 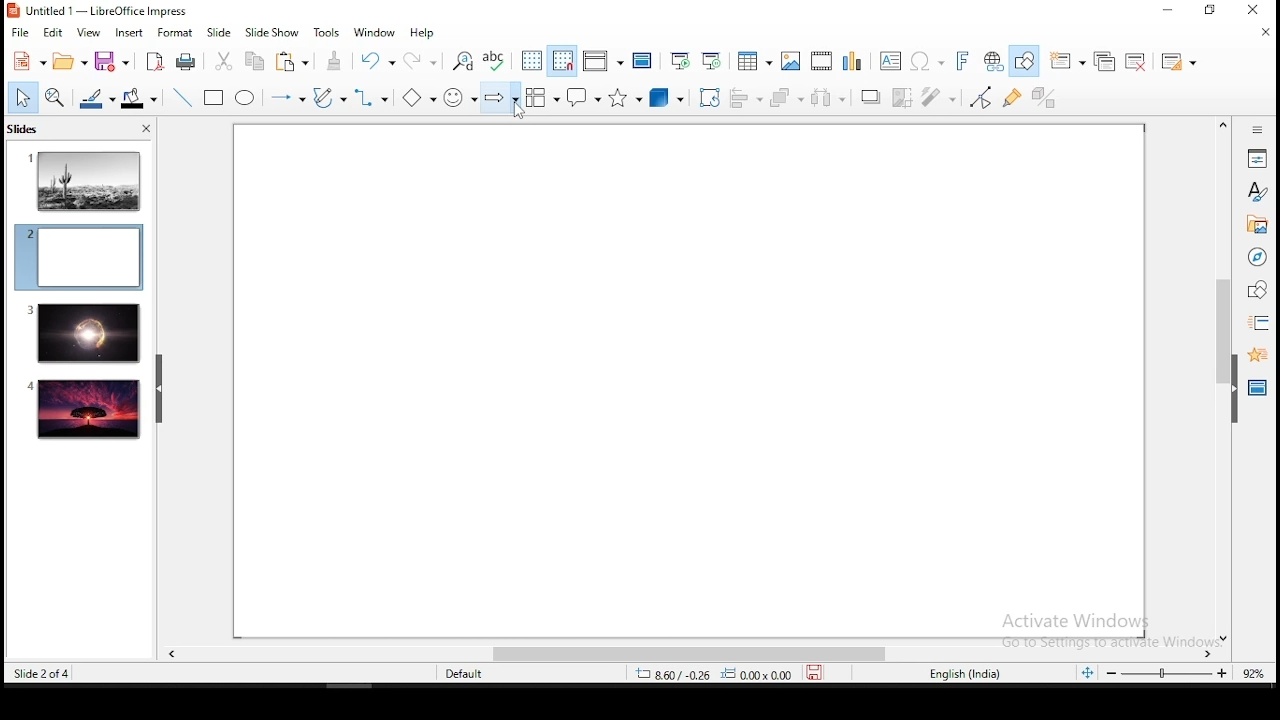 What do you see at coordinates (1206, 12) in the screenshot?
I see `restore` at bounding box center [1206, 12].